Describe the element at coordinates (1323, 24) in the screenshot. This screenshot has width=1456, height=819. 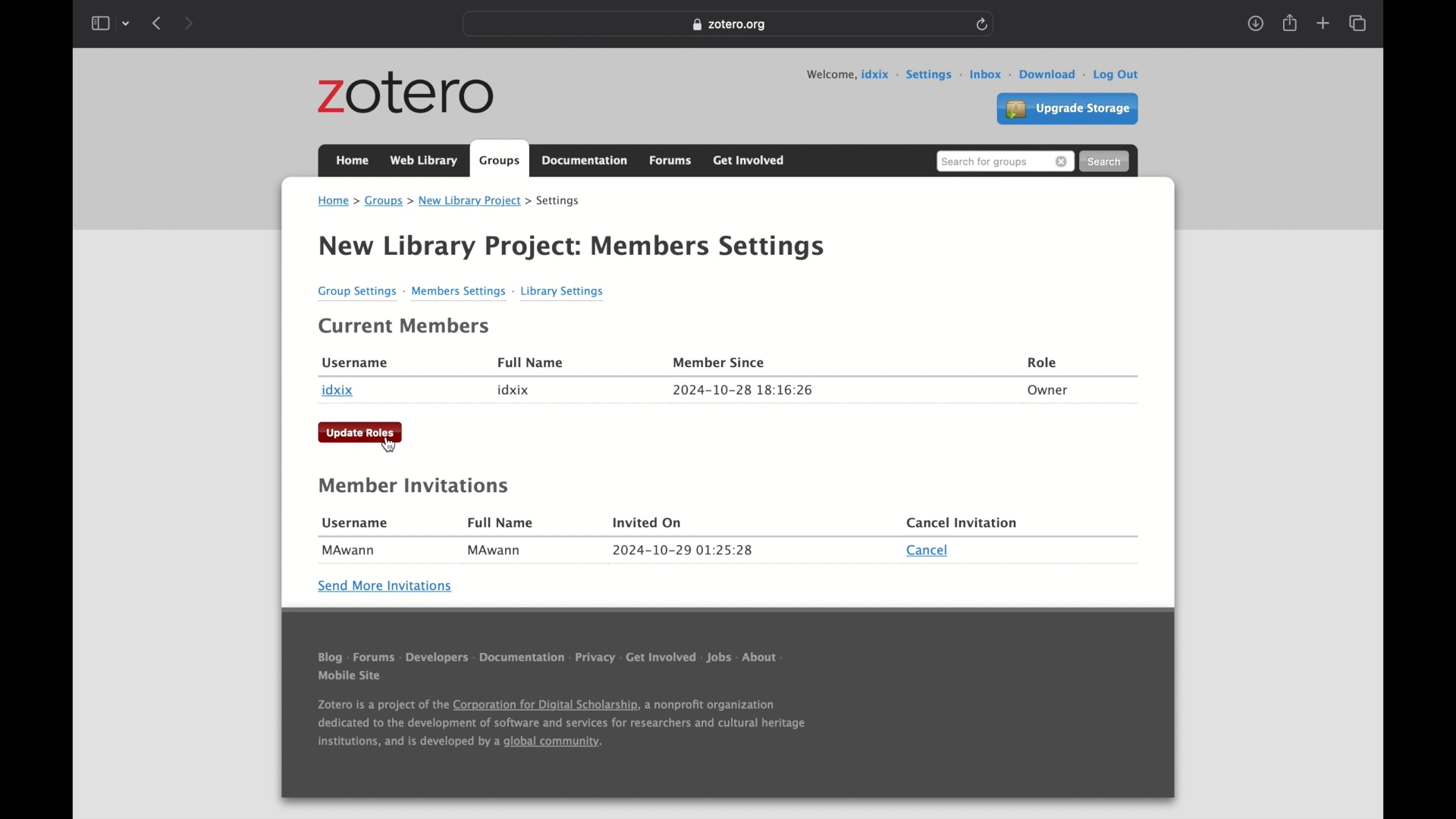
I see `new tab` at that location.